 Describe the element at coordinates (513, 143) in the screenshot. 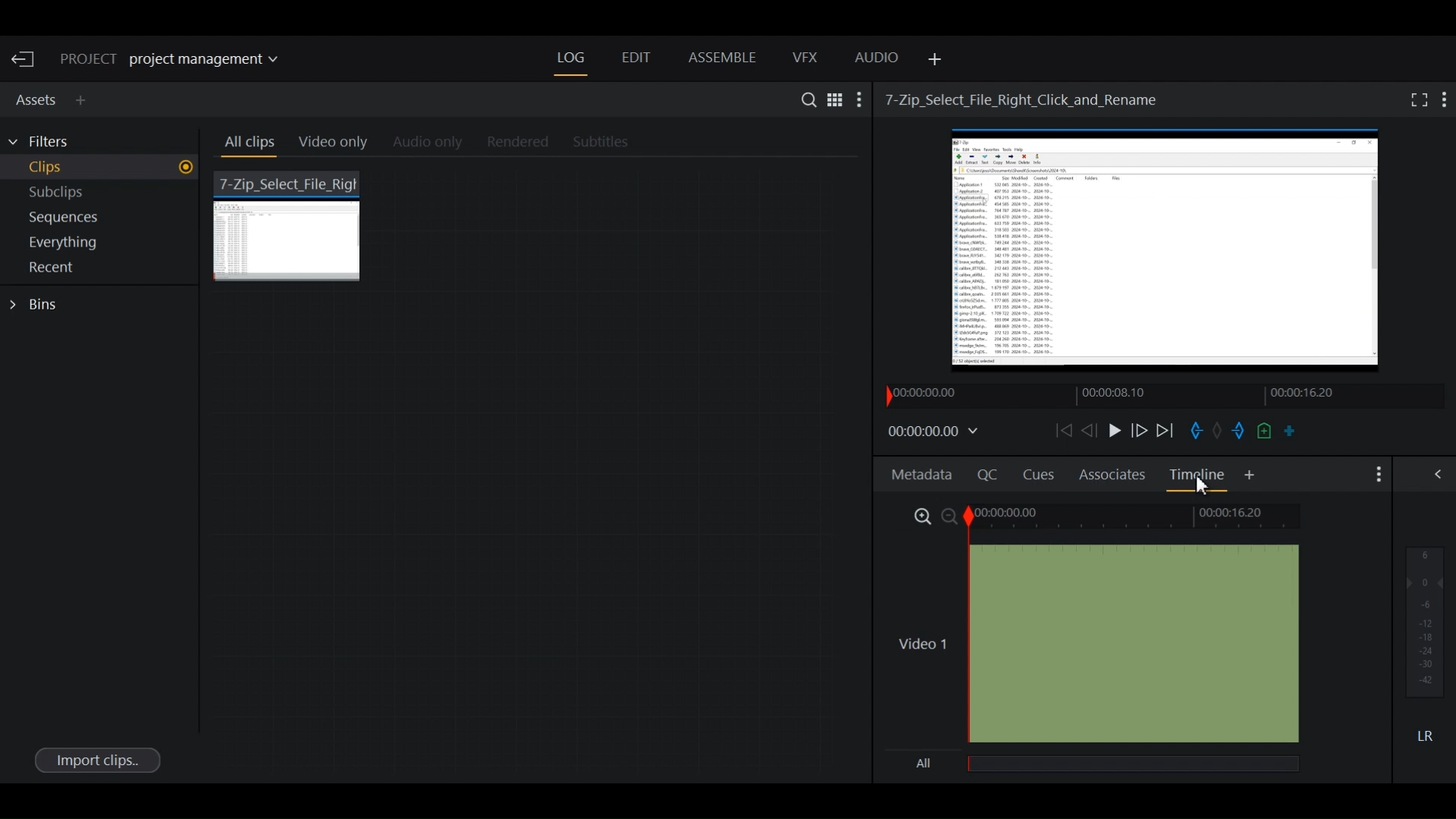

I see `Rendered` at that location.